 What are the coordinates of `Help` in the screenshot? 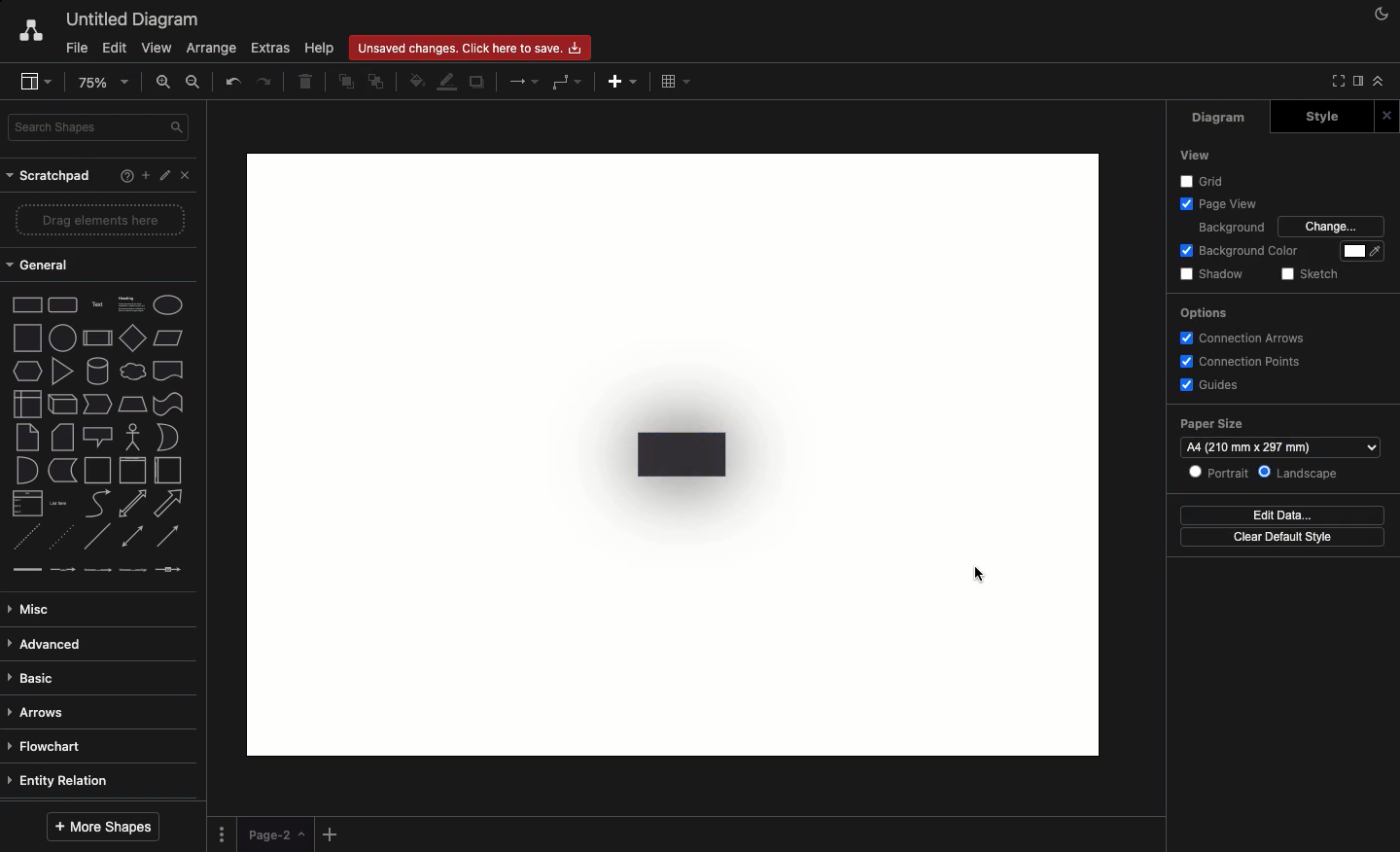 It's located at (122, 176).